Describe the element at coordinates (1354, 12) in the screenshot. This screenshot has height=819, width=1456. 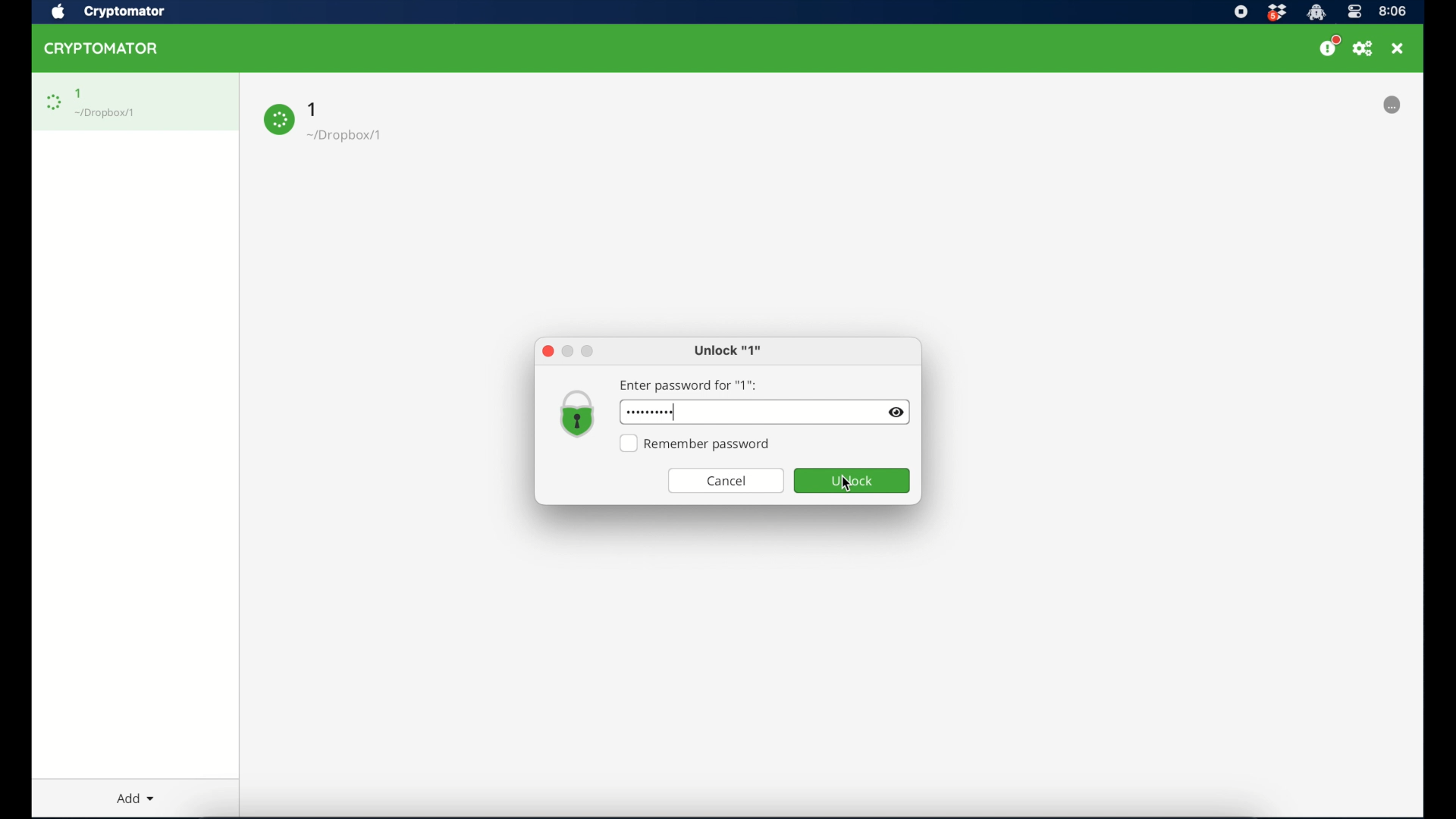
I see `control center` at that location.